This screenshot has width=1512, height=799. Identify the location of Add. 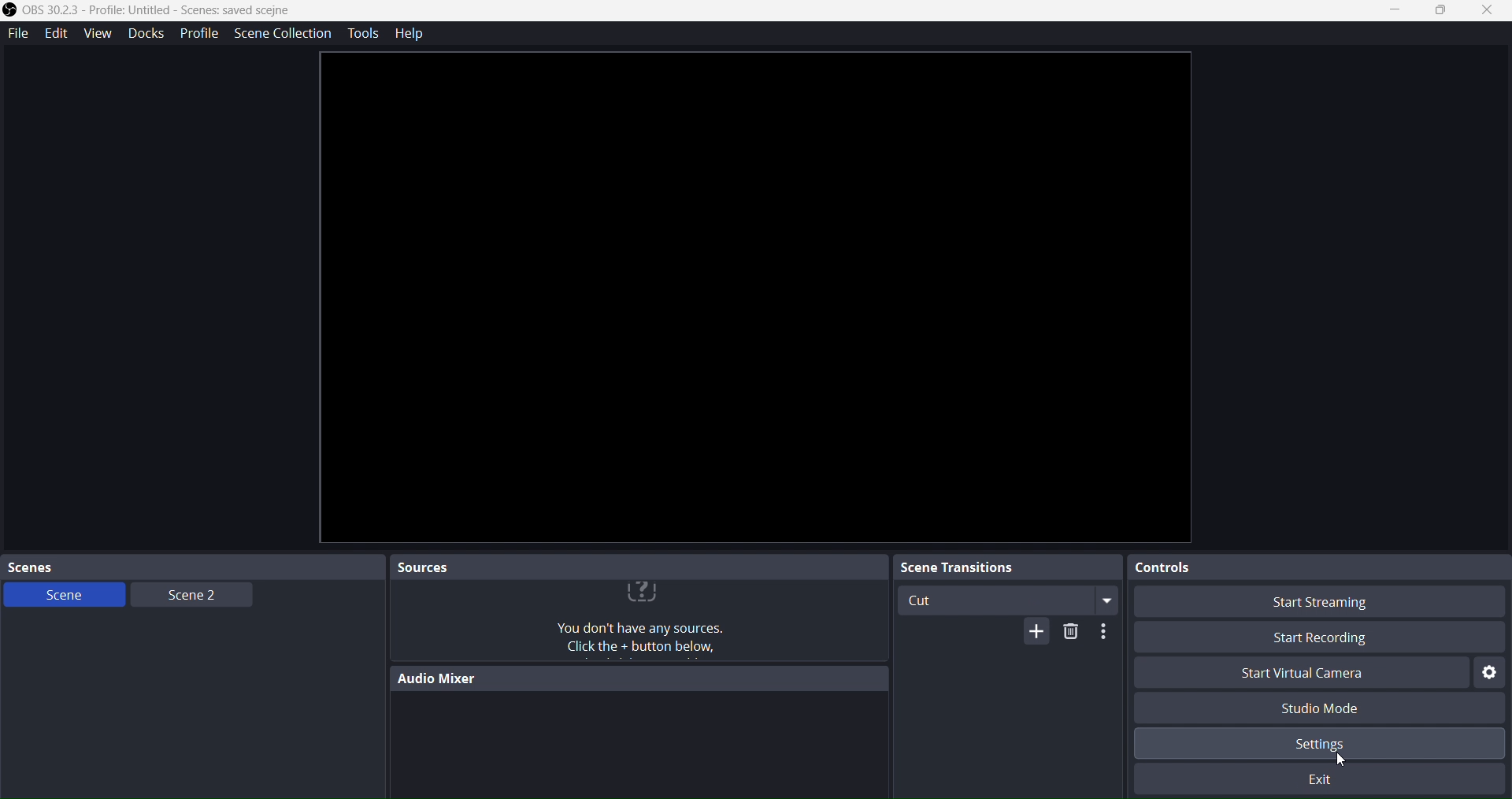
(1036, 634).